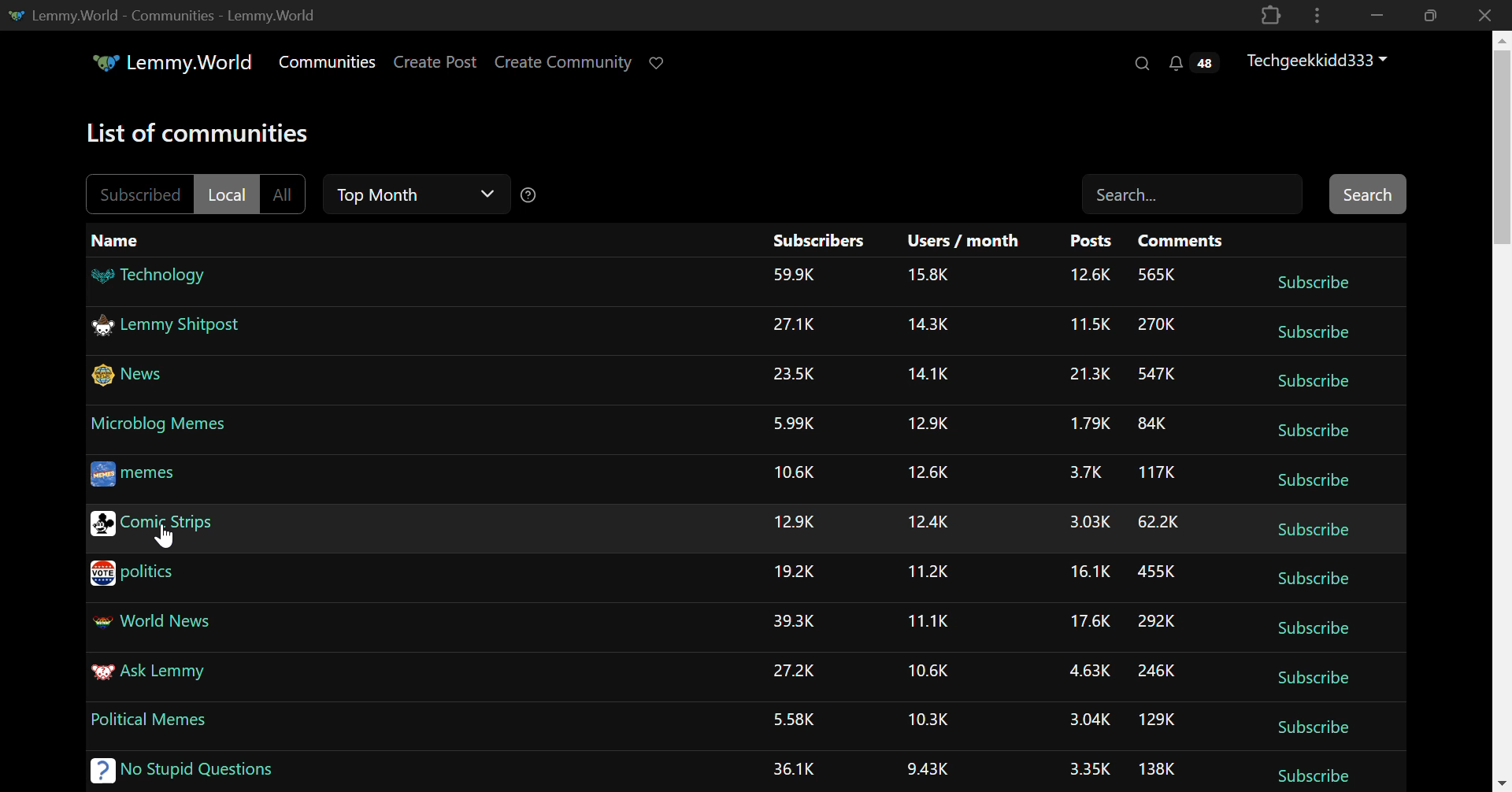 The width and height of the screenshot is (1512, 792). What do you see at coordinates (1091, 523) in the screenshot?
I see `3.03K` at bounding box center [1091, 523].